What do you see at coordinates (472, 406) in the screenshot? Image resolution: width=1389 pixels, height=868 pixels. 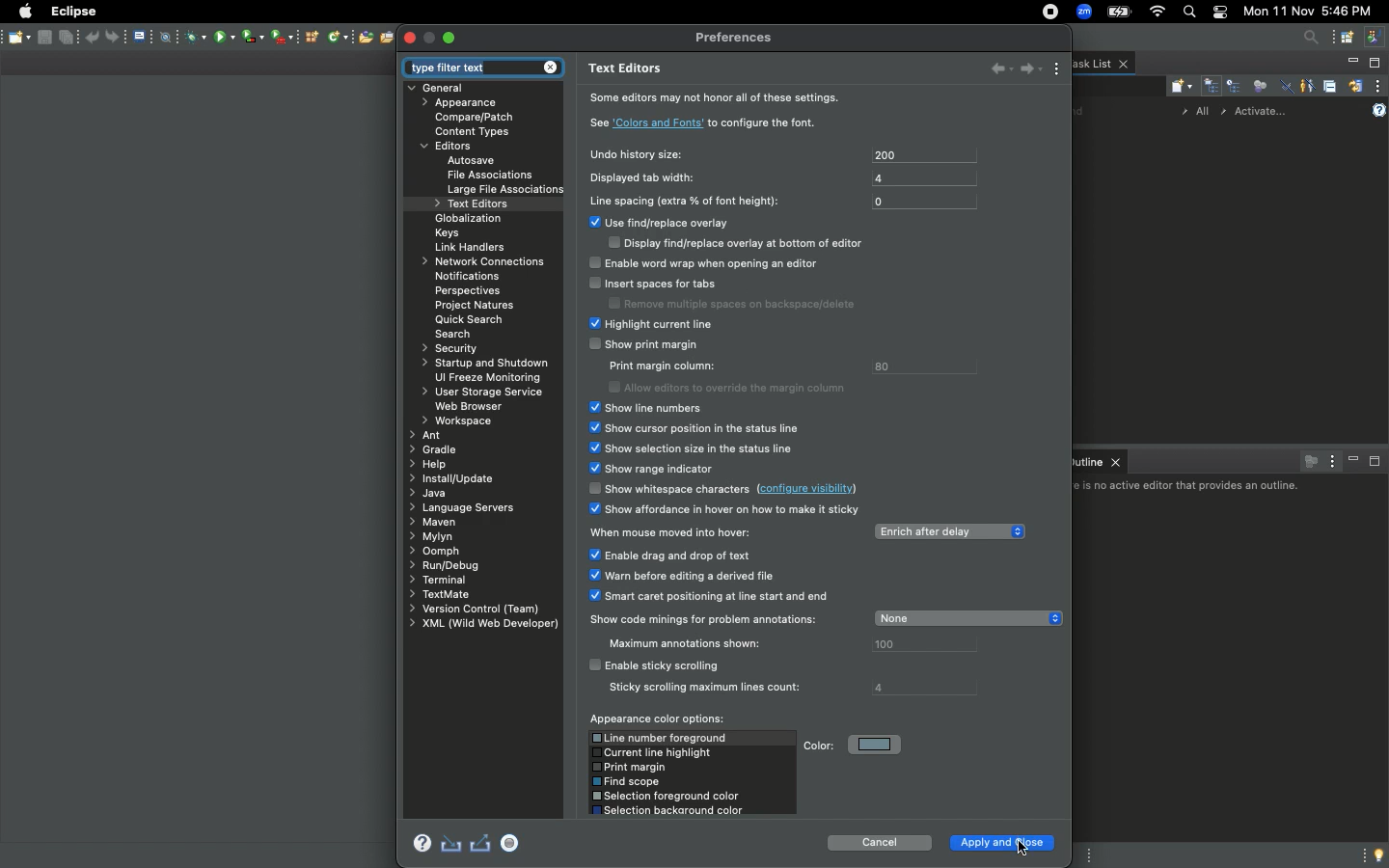 I see `Web browser` at bounding box center [472, 406].